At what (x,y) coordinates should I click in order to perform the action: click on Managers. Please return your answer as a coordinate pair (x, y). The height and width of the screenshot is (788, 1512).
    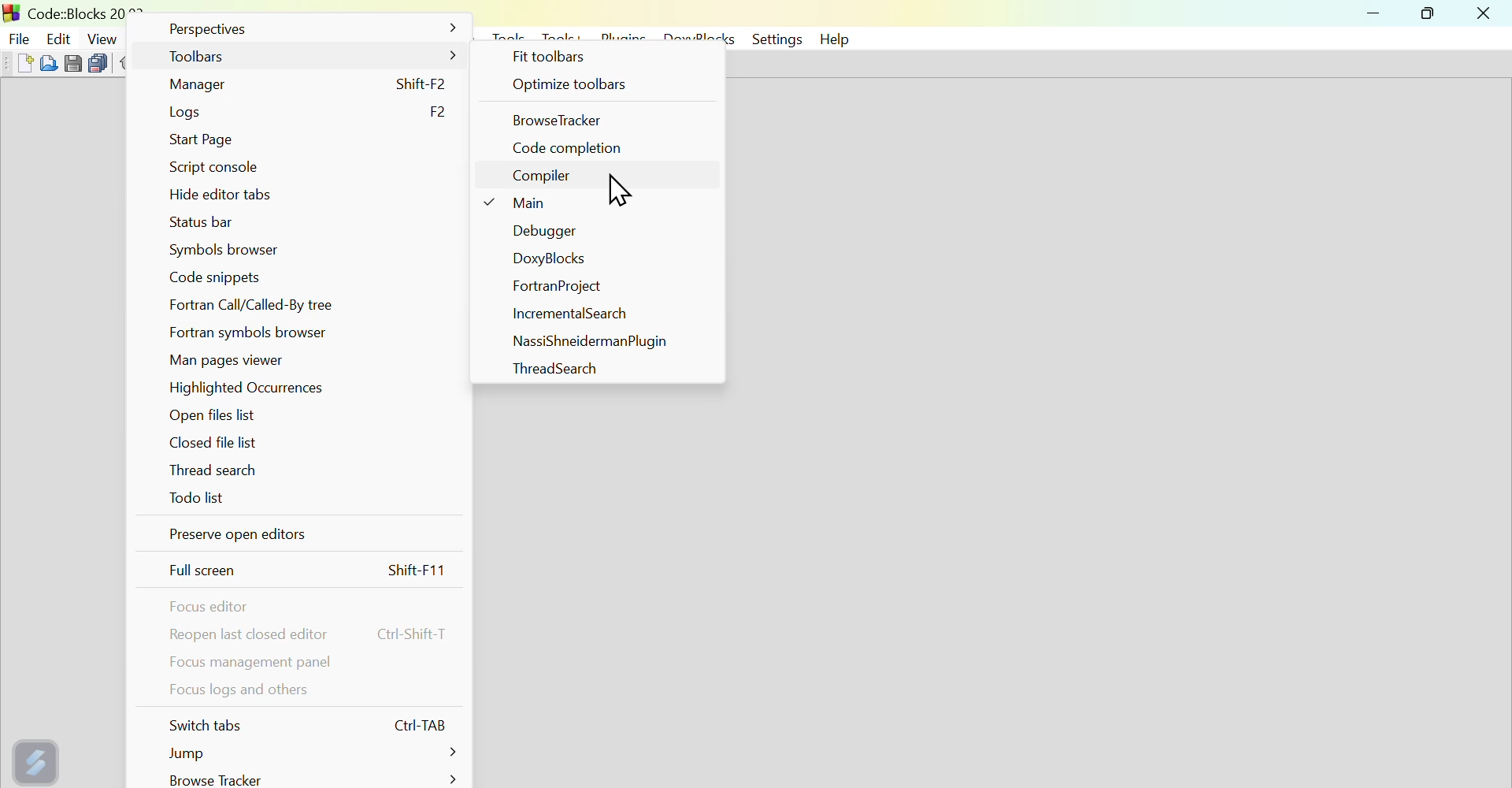
    Looking at the image, I should click on (314, 84).